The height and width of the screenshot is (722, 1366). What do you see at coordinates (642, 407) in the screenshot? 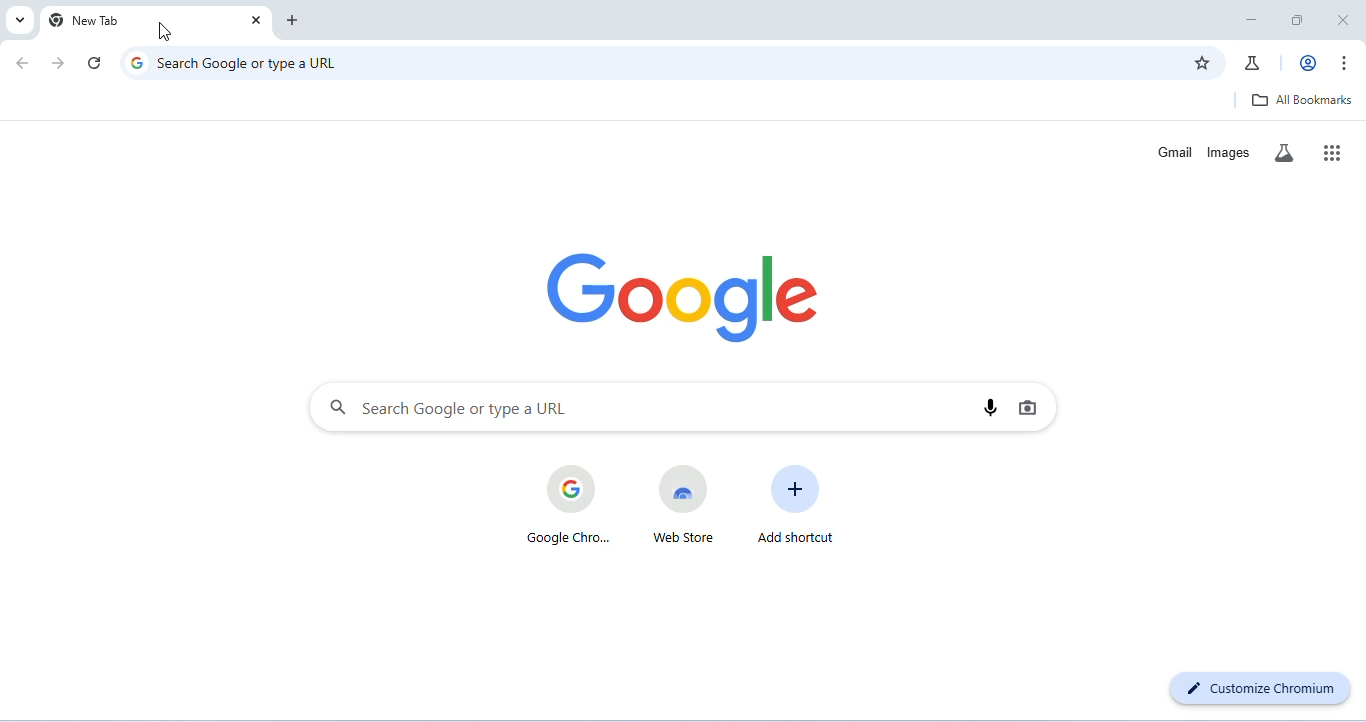
I see `search google or type a URL` at bounding box center [642, 407].